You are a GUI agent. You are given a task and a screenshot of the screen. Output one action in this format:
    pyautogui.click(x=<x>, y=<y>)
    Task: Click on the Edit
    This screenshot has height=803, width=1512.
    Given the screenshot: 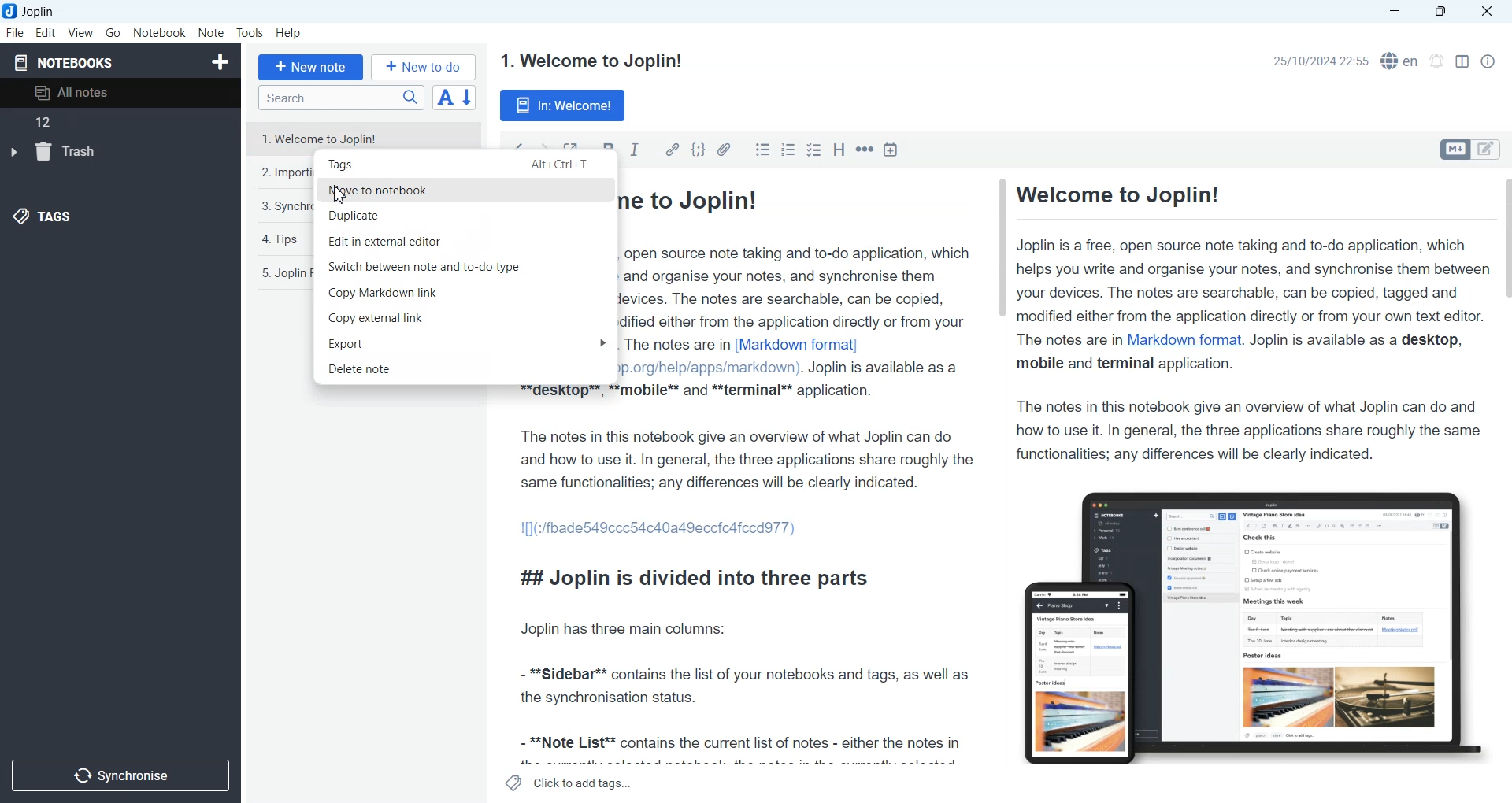 What is the action you would take?
    pyautogui.click(x=46, y=32)
    